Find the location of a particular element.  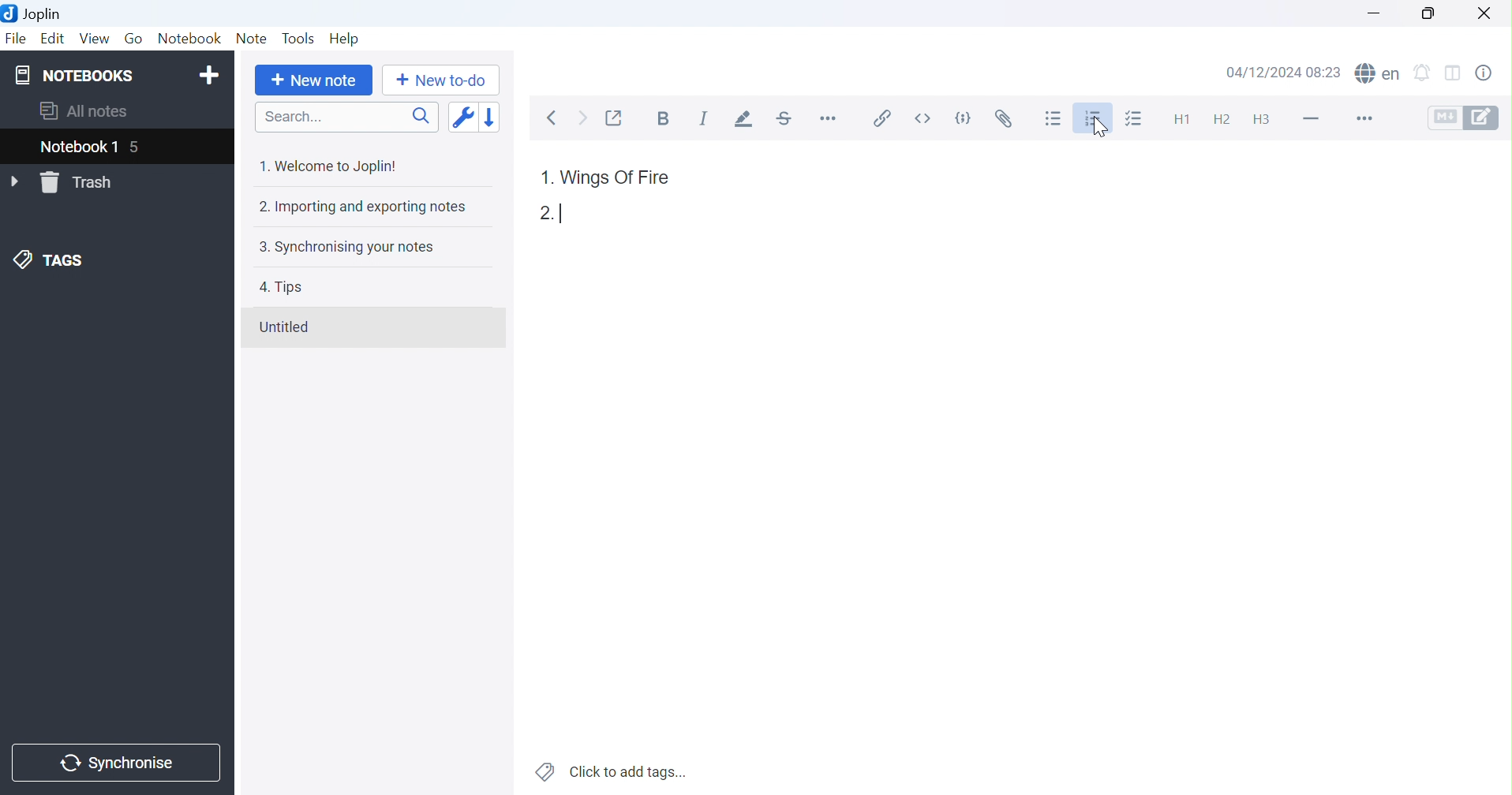

4. Tips is located at coordinates (281, 287).